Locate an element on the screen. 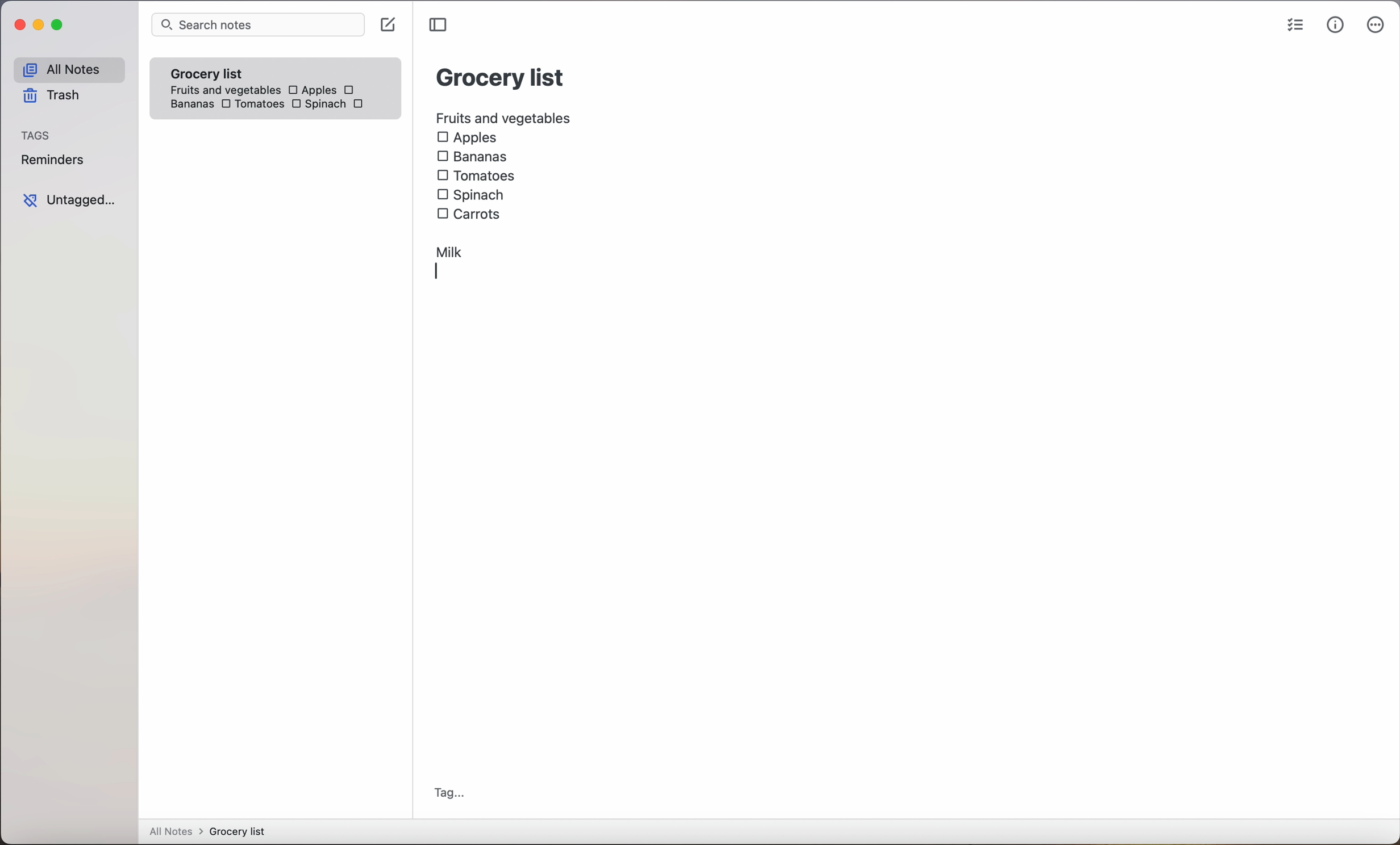  checkbox is located at coordinates (351, 90).